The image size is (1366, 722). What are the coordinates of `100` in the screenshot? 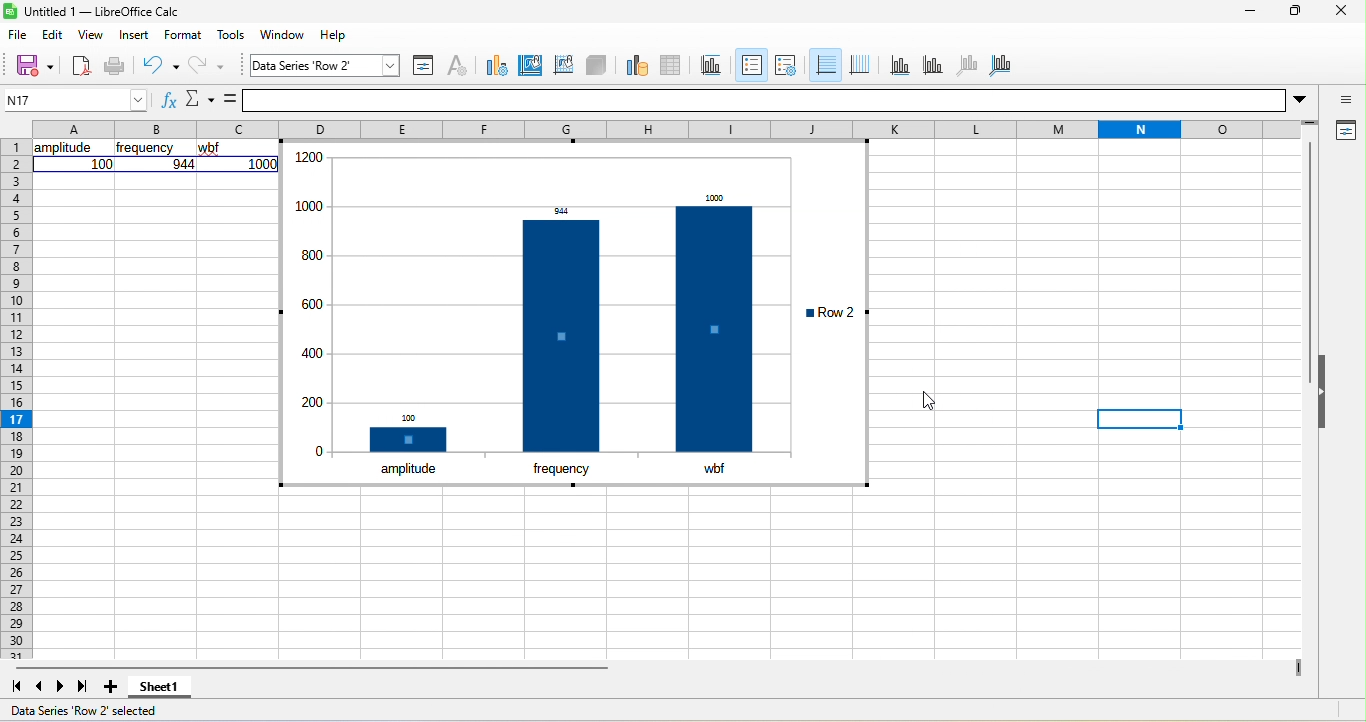 It's located at (102, 164).